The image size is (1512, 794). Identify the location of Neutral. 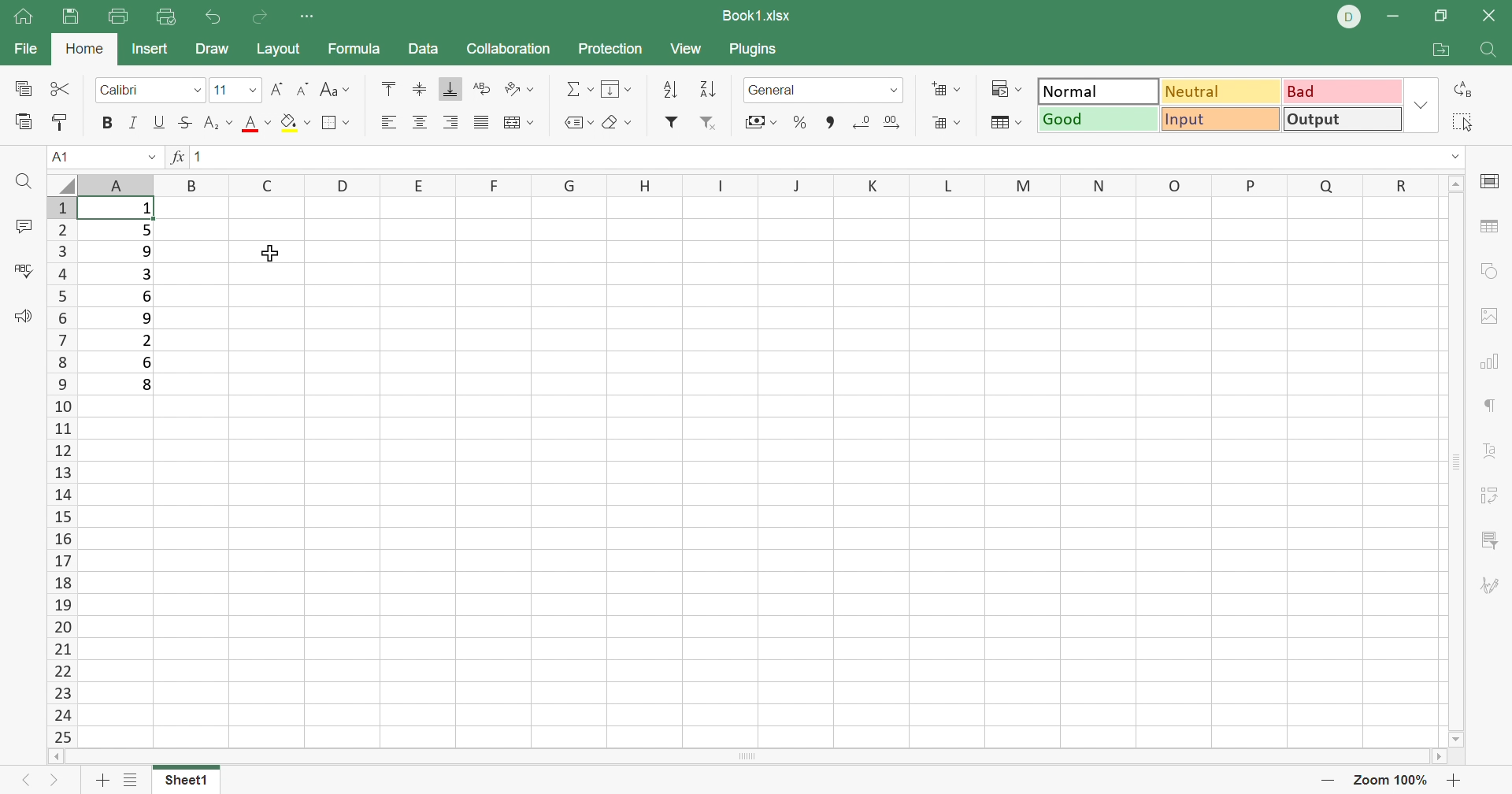
(1222, 92).